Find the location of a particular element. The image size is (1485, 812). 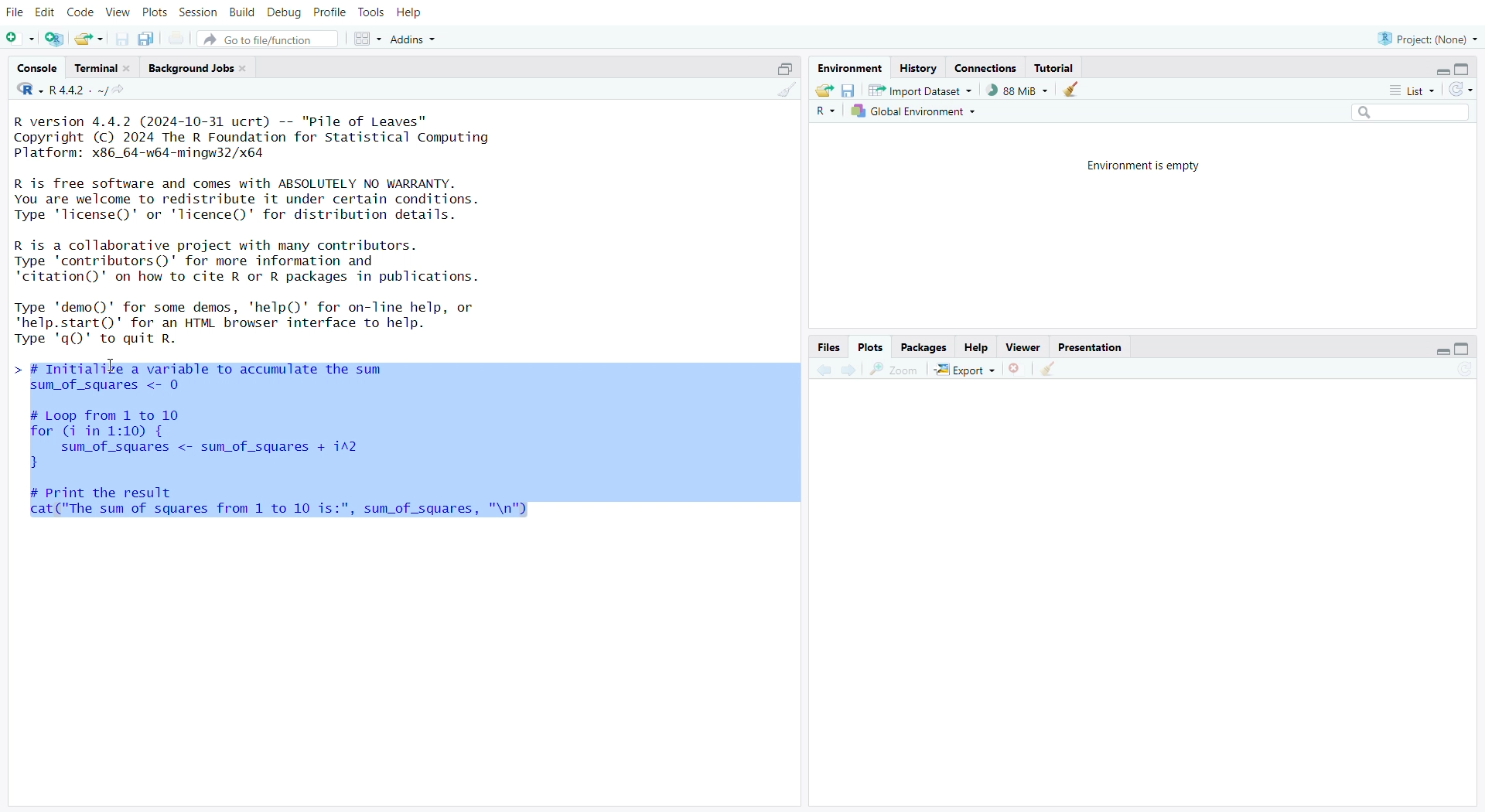

R is located at coordinates (824, 113).